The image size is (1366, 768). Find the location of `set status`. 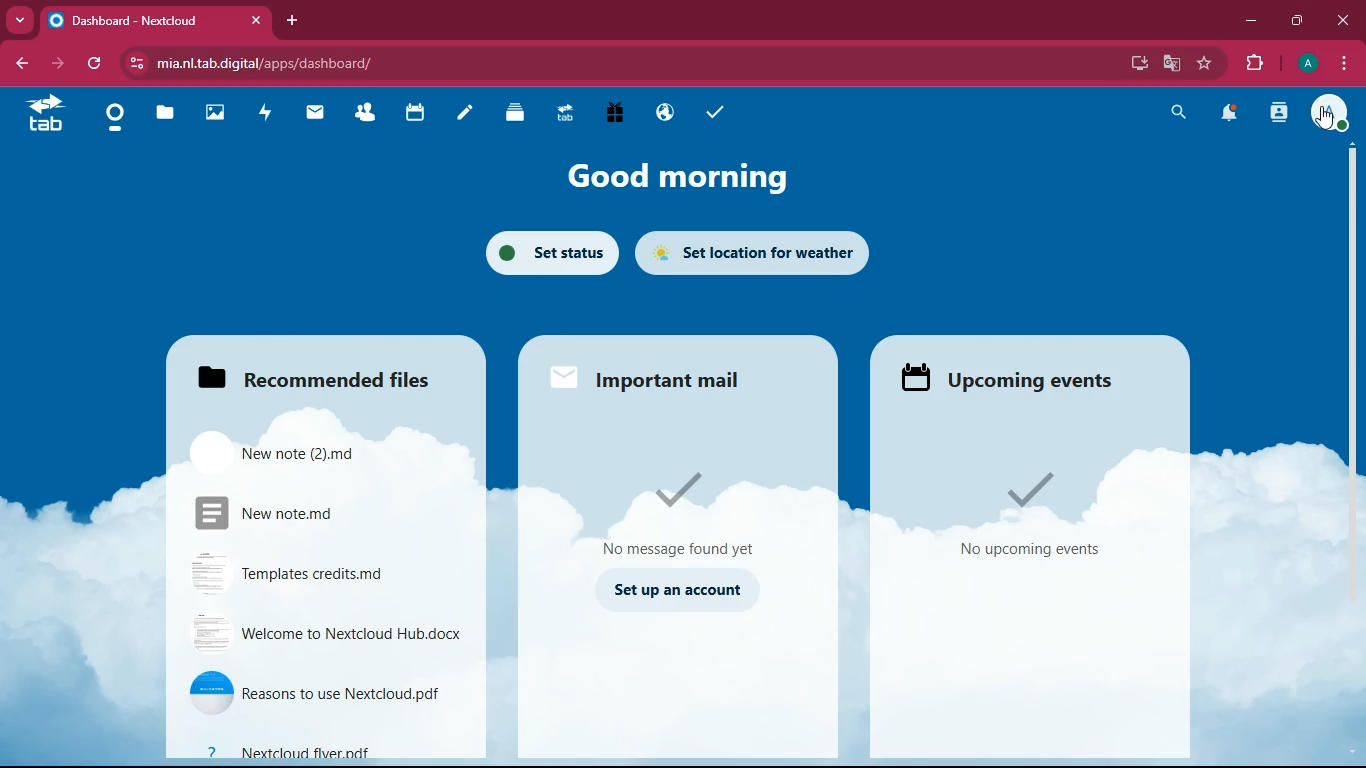

set status is located at coordinates (543, 252).